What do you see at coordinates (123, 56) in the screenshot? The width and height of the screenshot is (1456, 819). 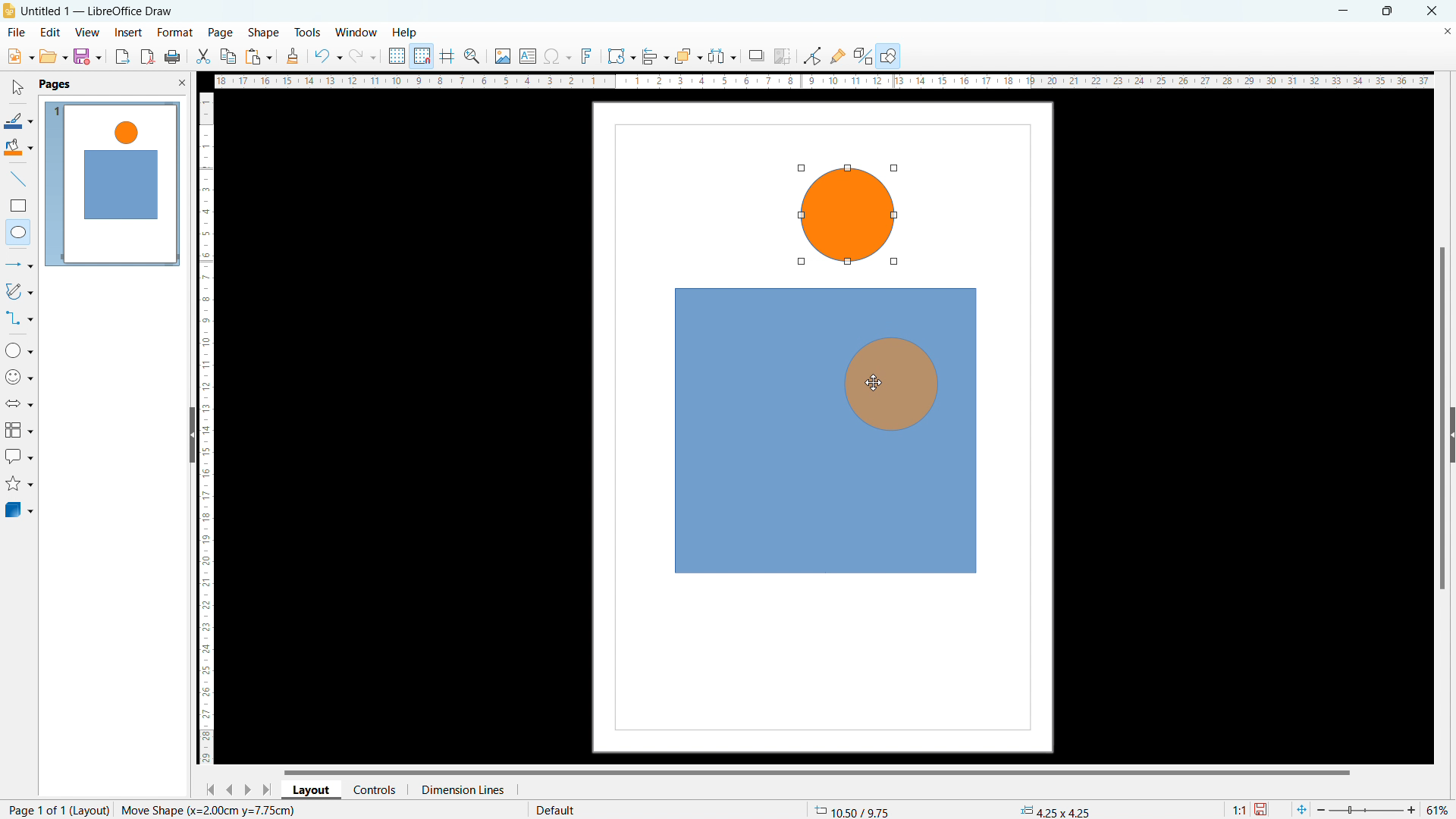 I see `export` at bounding box center [123, 56].